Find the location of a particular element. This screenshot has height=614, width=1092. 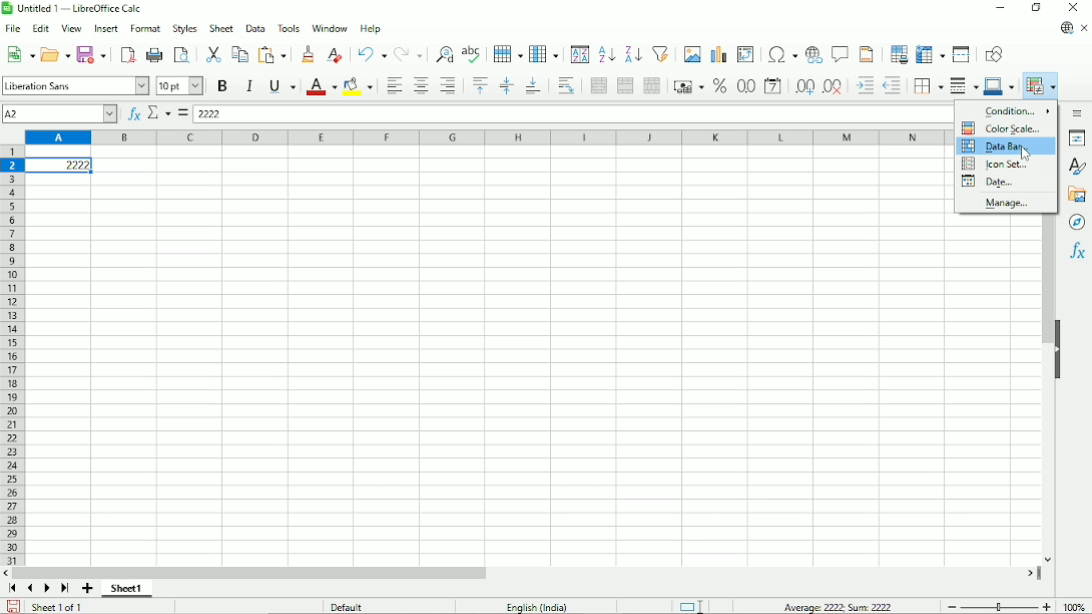

Format is located at coordinates (145, 29).